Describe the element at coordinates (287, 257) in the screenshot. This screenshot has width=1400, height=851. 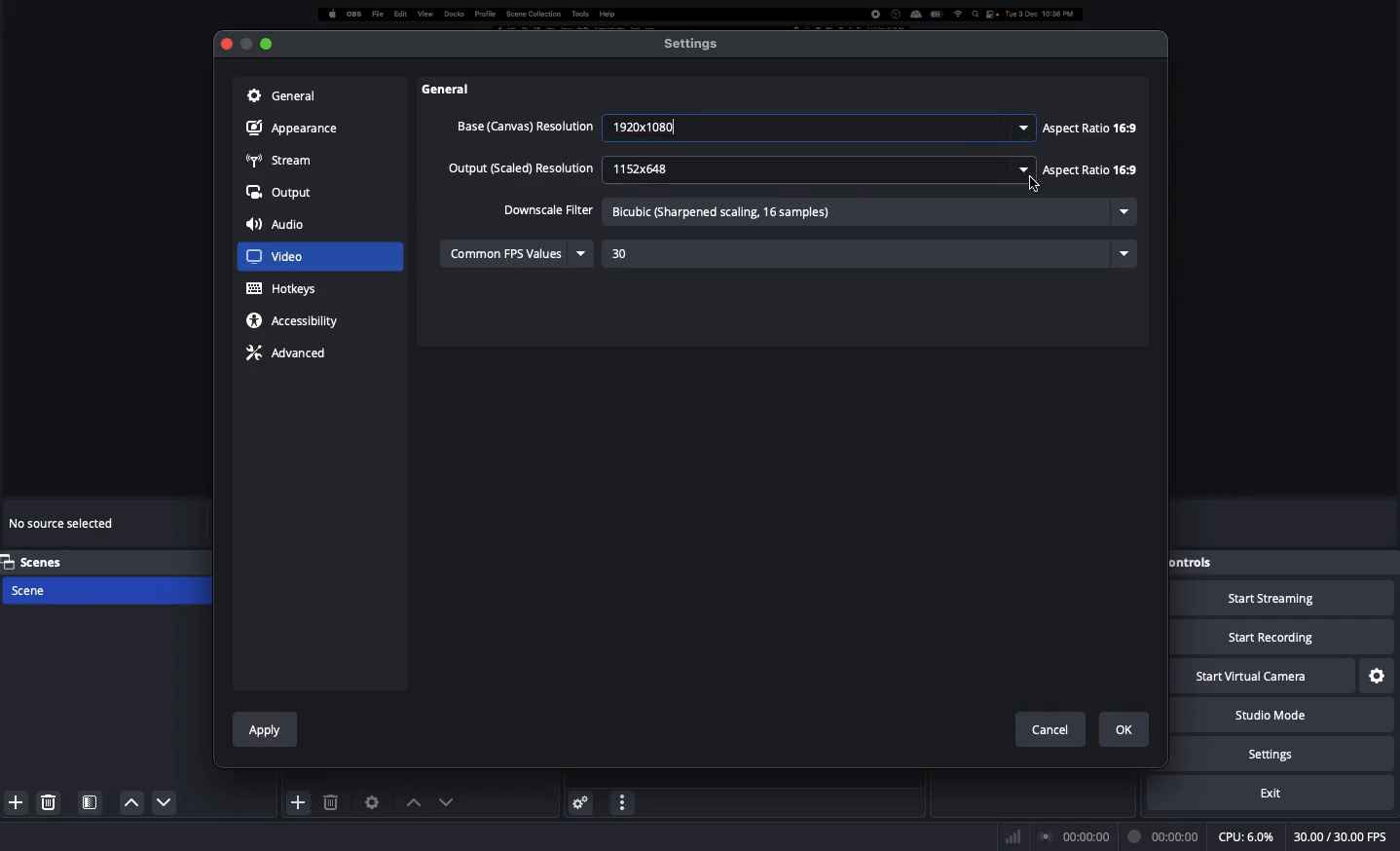
I see `Clicked` at that location.